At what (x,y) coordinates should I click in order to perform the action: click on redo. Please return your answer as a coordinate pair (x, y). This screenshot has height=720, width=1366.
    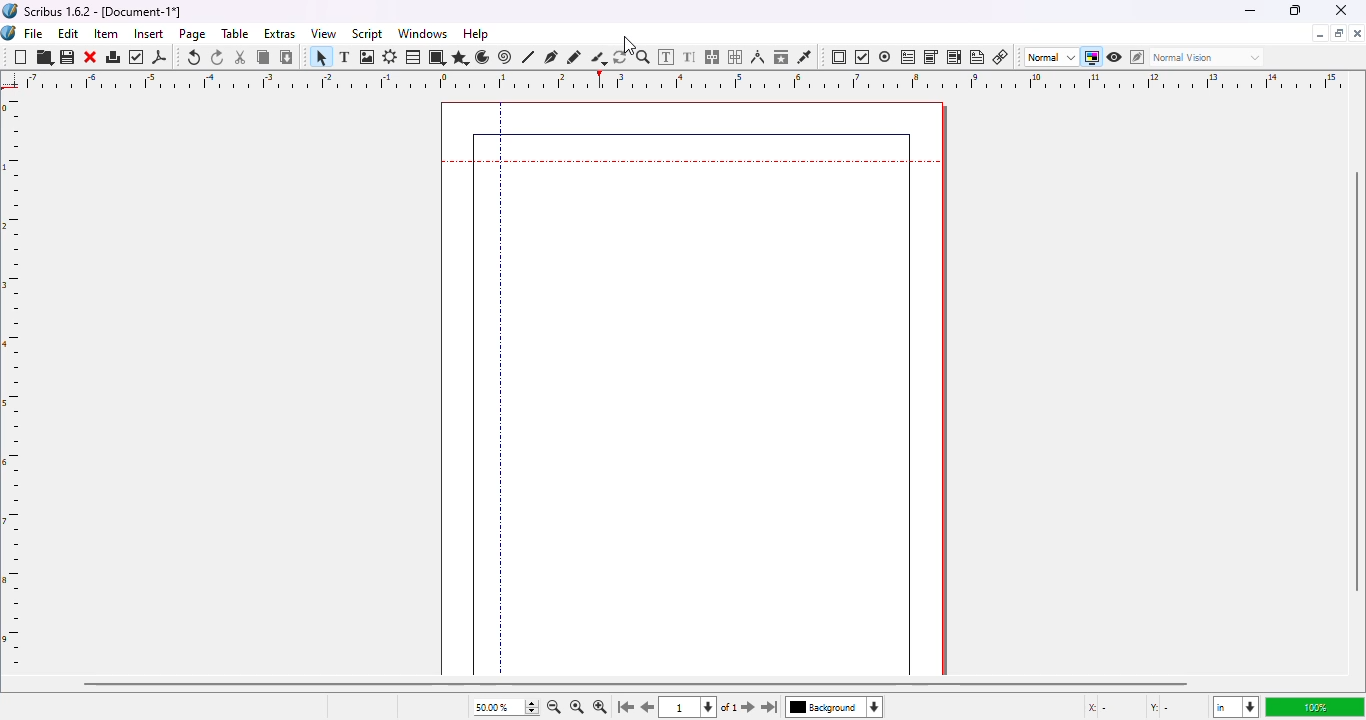
    Looking at the image, I should click on (218, 58).